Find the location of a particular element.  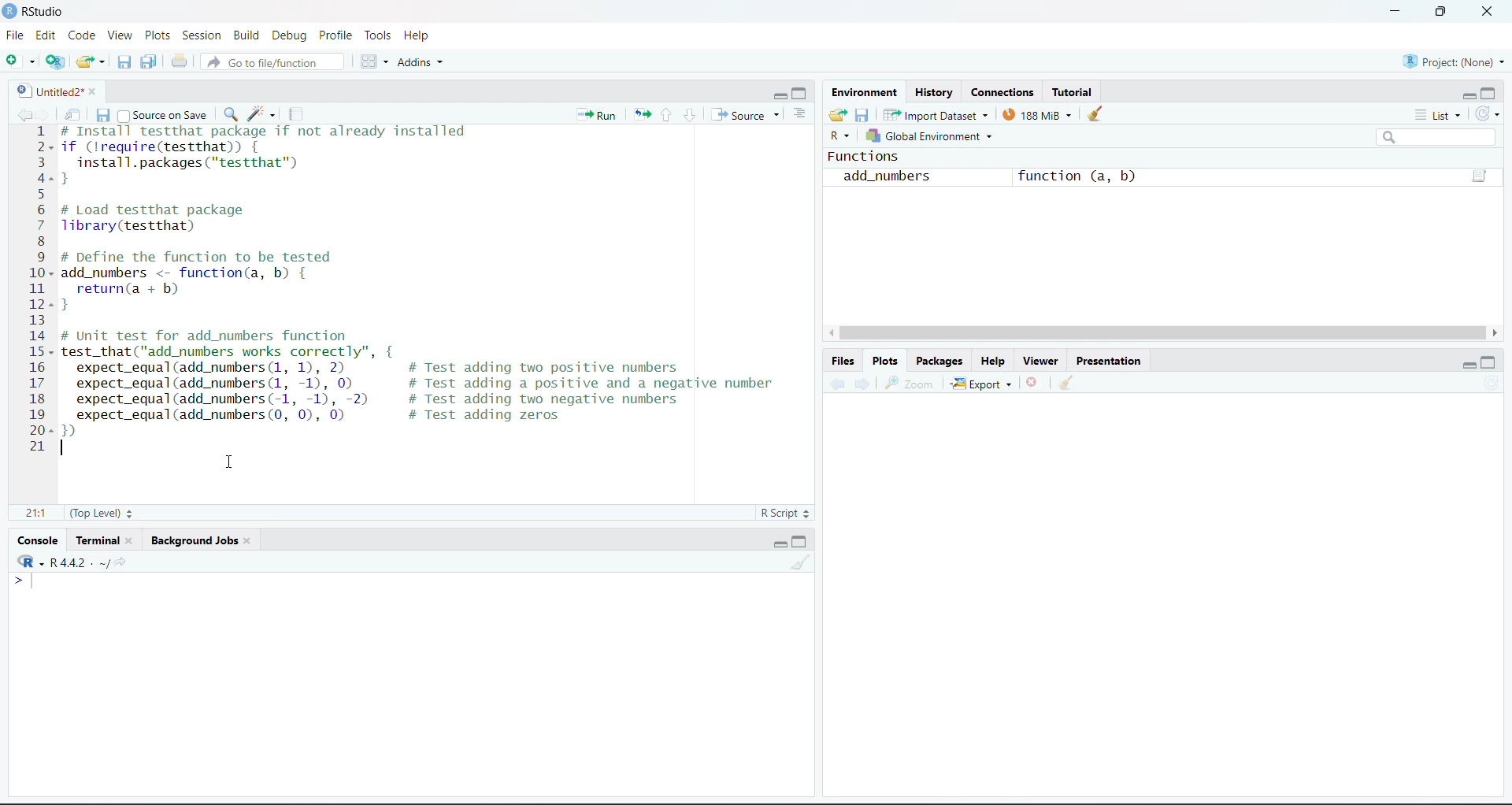

minimize is located at coordinates (780, 542).